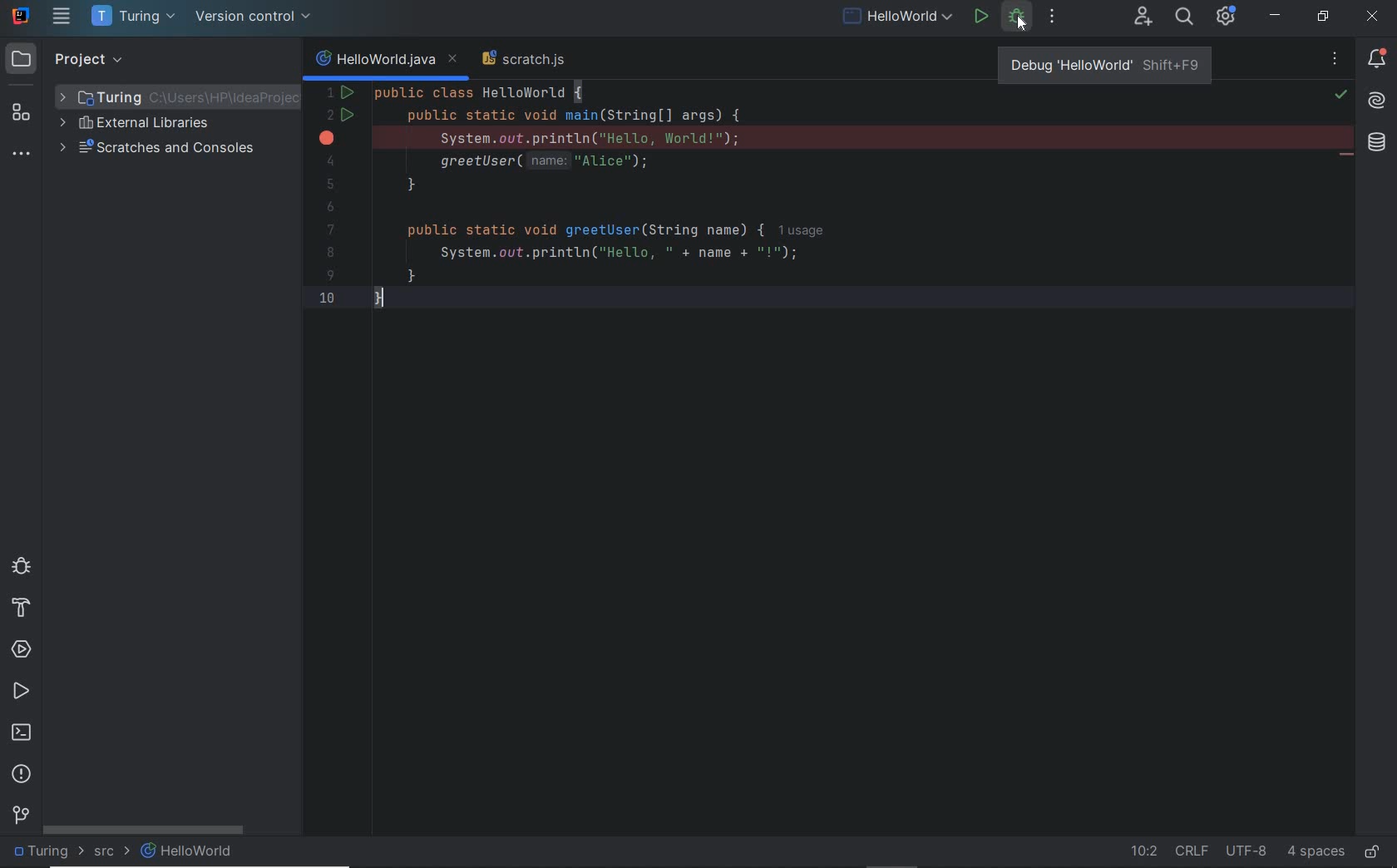  I want to click on codes, so click(792, 201).